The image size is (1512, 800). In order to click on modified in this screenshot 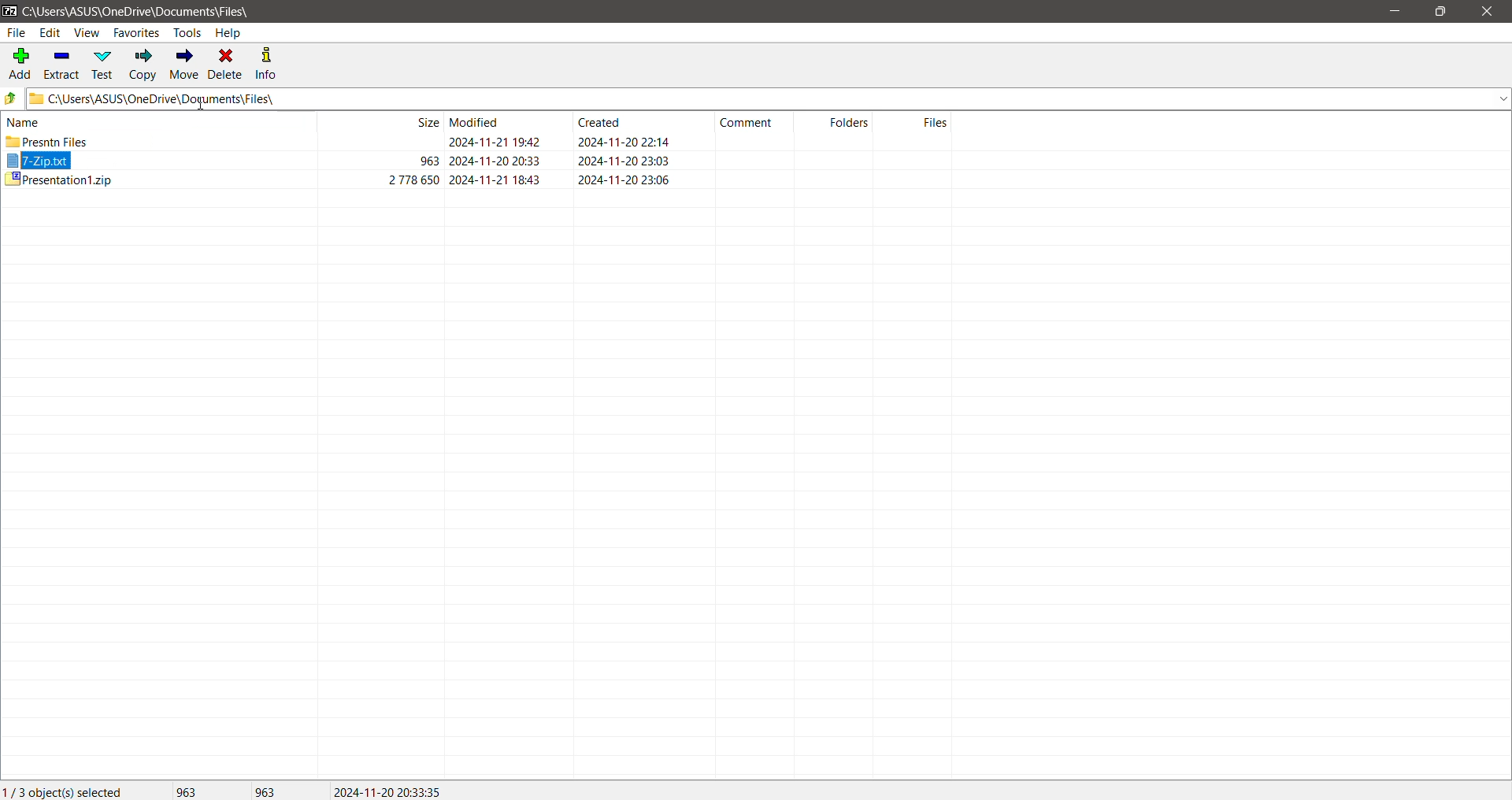, I will do `click(474, 122)`.